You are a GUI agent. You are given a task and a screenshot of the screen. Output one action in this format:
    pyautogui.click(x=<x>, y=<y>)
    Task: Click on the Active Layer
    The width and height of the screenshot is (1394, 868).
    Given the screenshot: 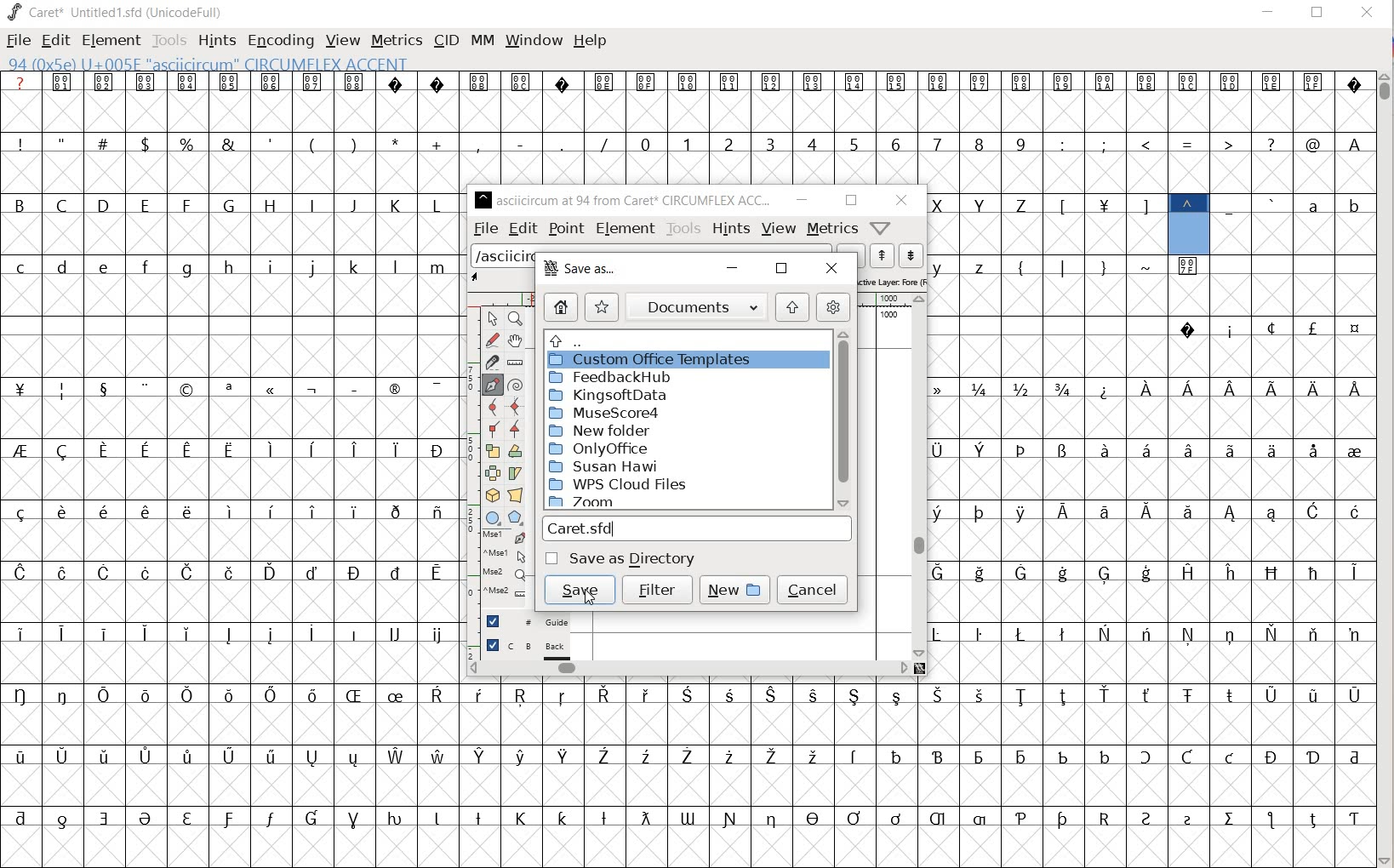 What is the action you would take?
    pyautogui.click(x=890, y=280)
    